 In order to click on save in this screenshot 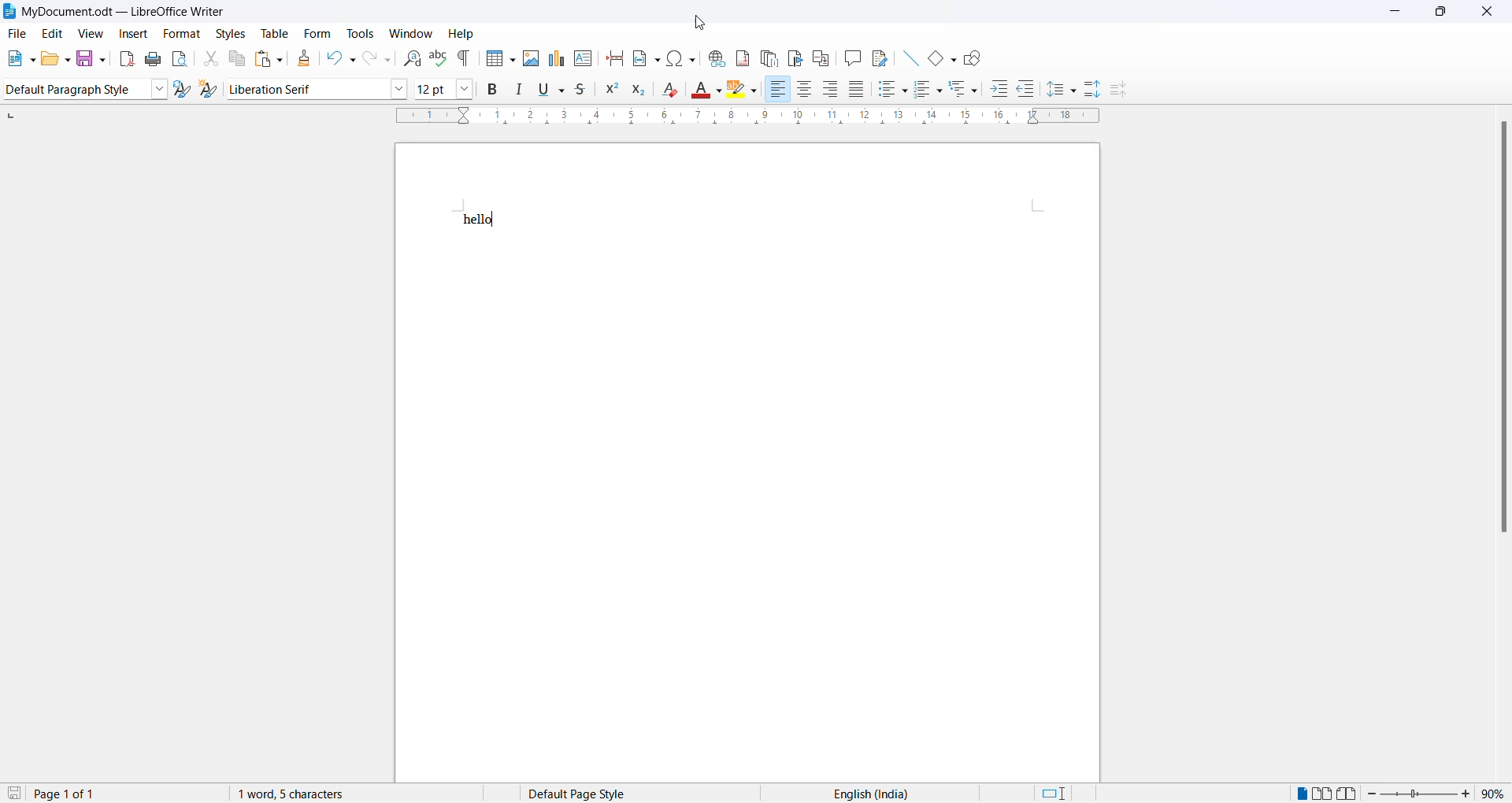, I will do `click(15, 792)`.